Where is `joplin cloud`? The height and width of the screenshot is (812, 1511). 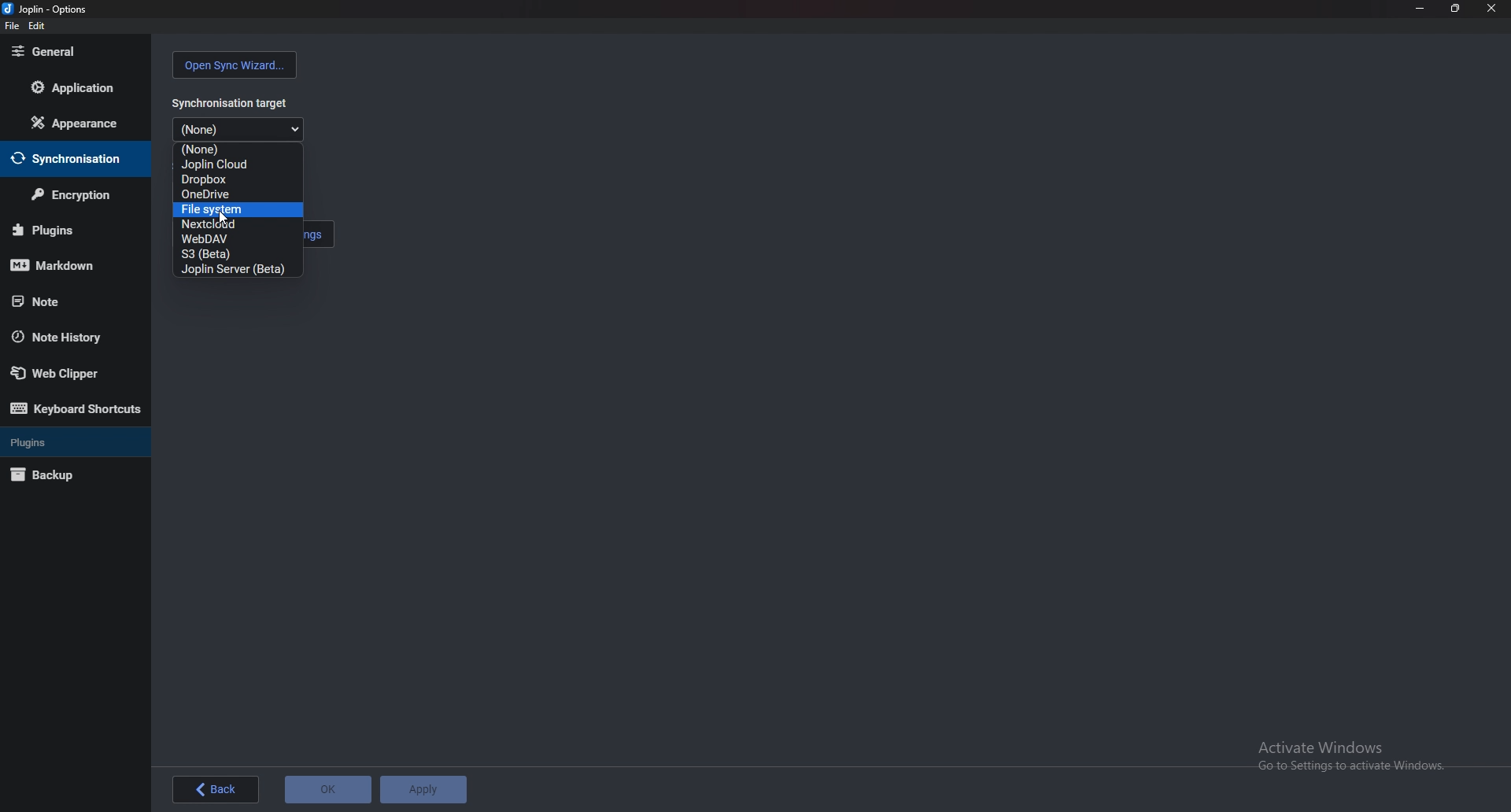 joplin cloud is located at coordinates (237, 164).